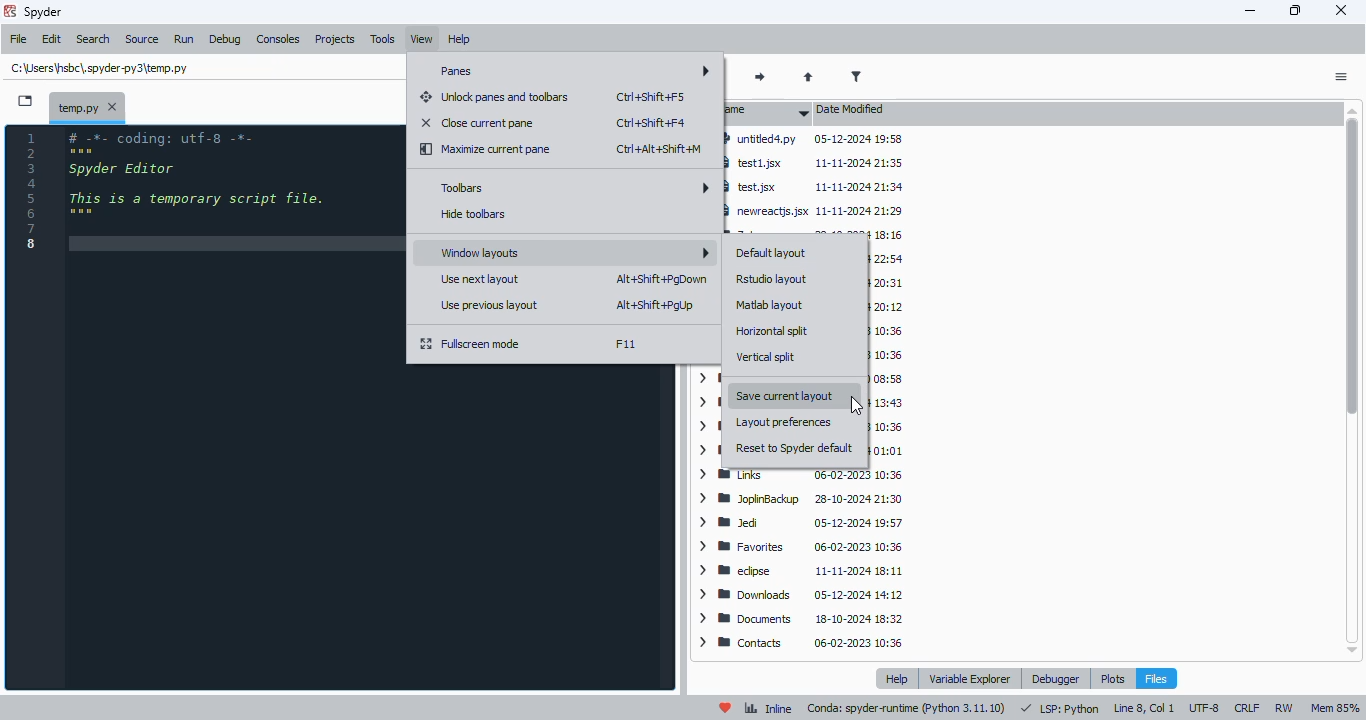 Image resolution: width=1366 pixels, height=720 pixels. What do you see at coordinates (805, 476) in the screenshot?
I see `Links` at bounding box center [805, 476].